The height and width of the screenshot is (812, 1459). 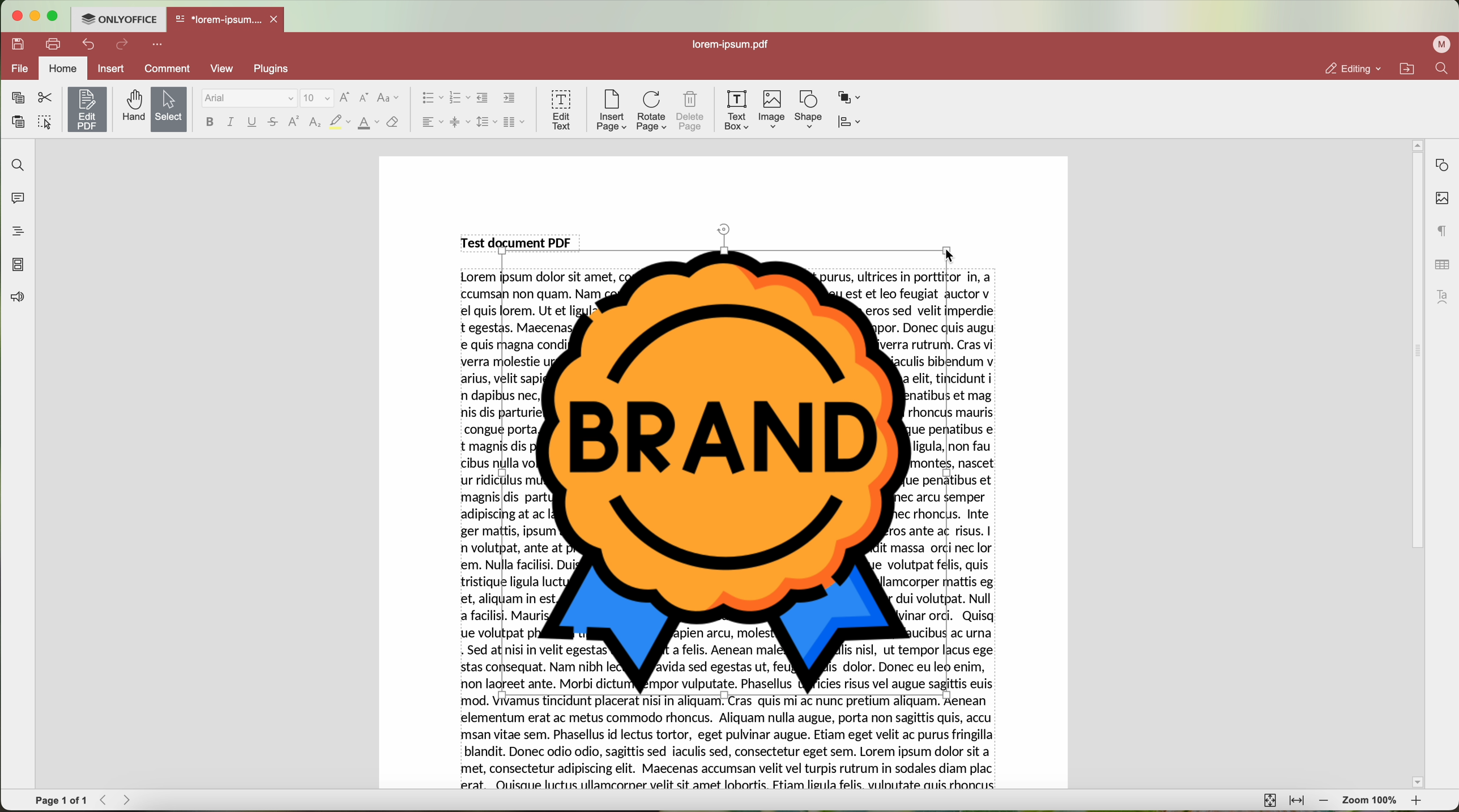 What do you see at coordinates (369, 123) in the screenshot?
I see `color type` at bounding box center [369, 123].